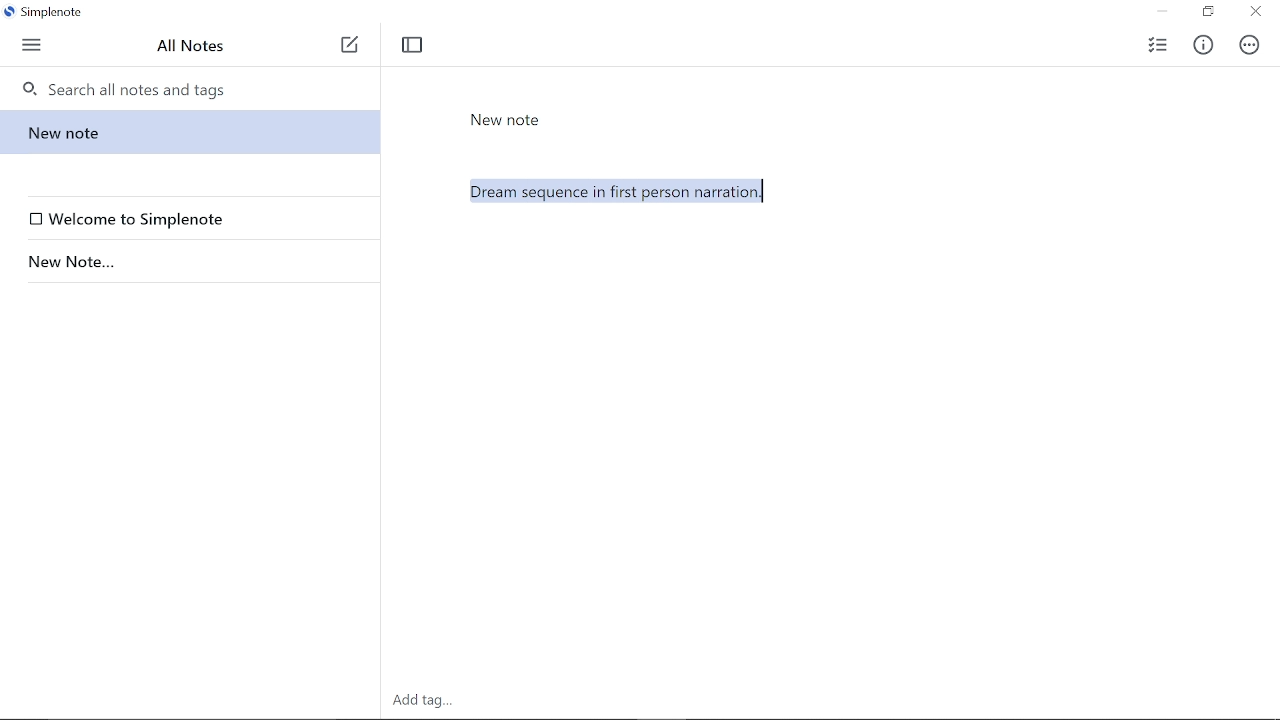 This screenshot has height=720, width=1280. Describe the element at coordinates (1208, 42) in the screenshot. I see `Info` at that location.